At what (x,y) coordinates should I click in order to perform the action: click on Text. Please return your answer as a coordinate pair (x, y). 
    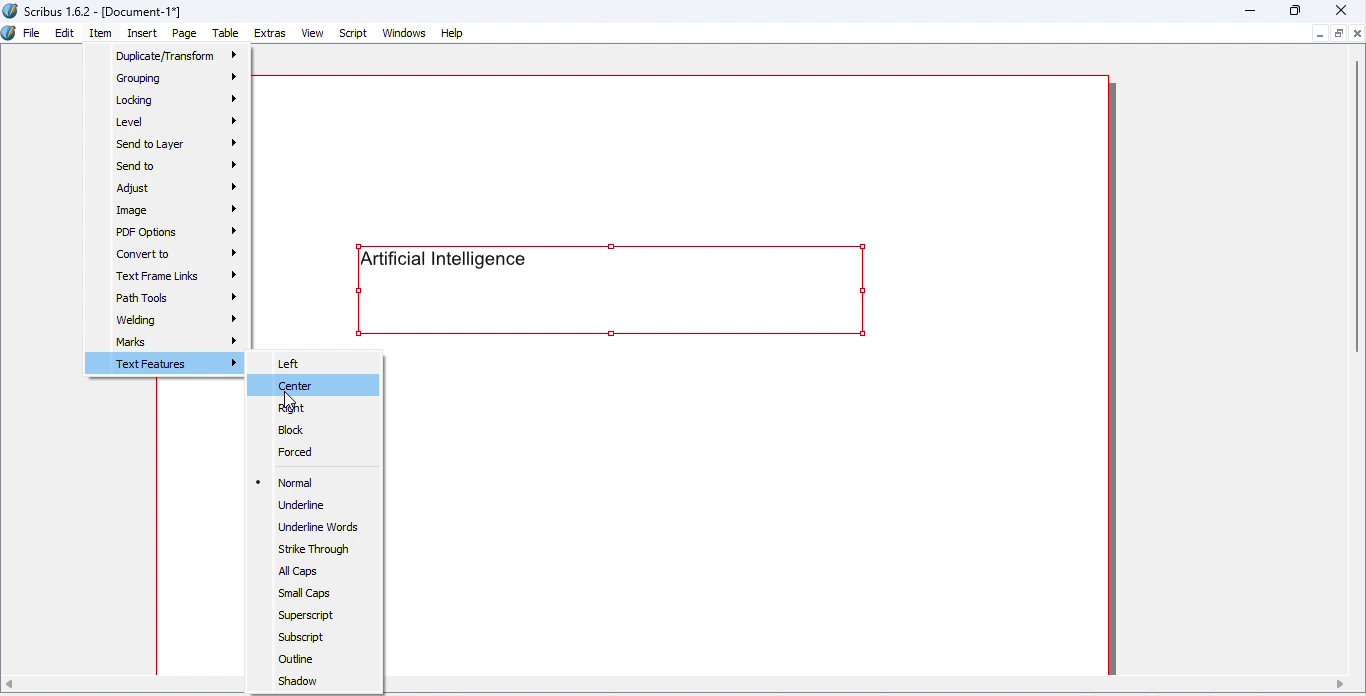
    Looking at the image, I should click on (612, 294).